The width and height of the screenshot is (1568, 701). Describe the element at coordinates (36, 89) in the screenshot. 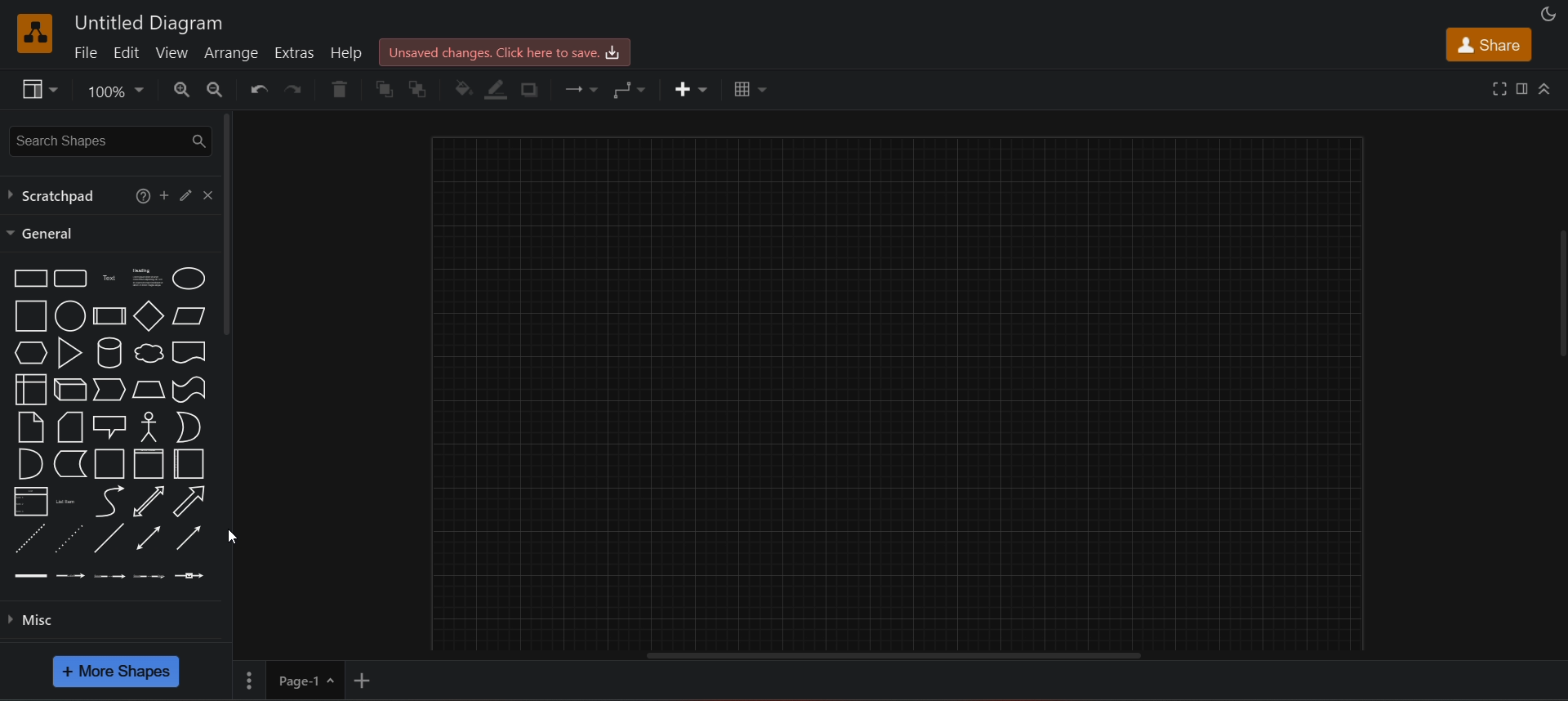

I see `view` at that location.